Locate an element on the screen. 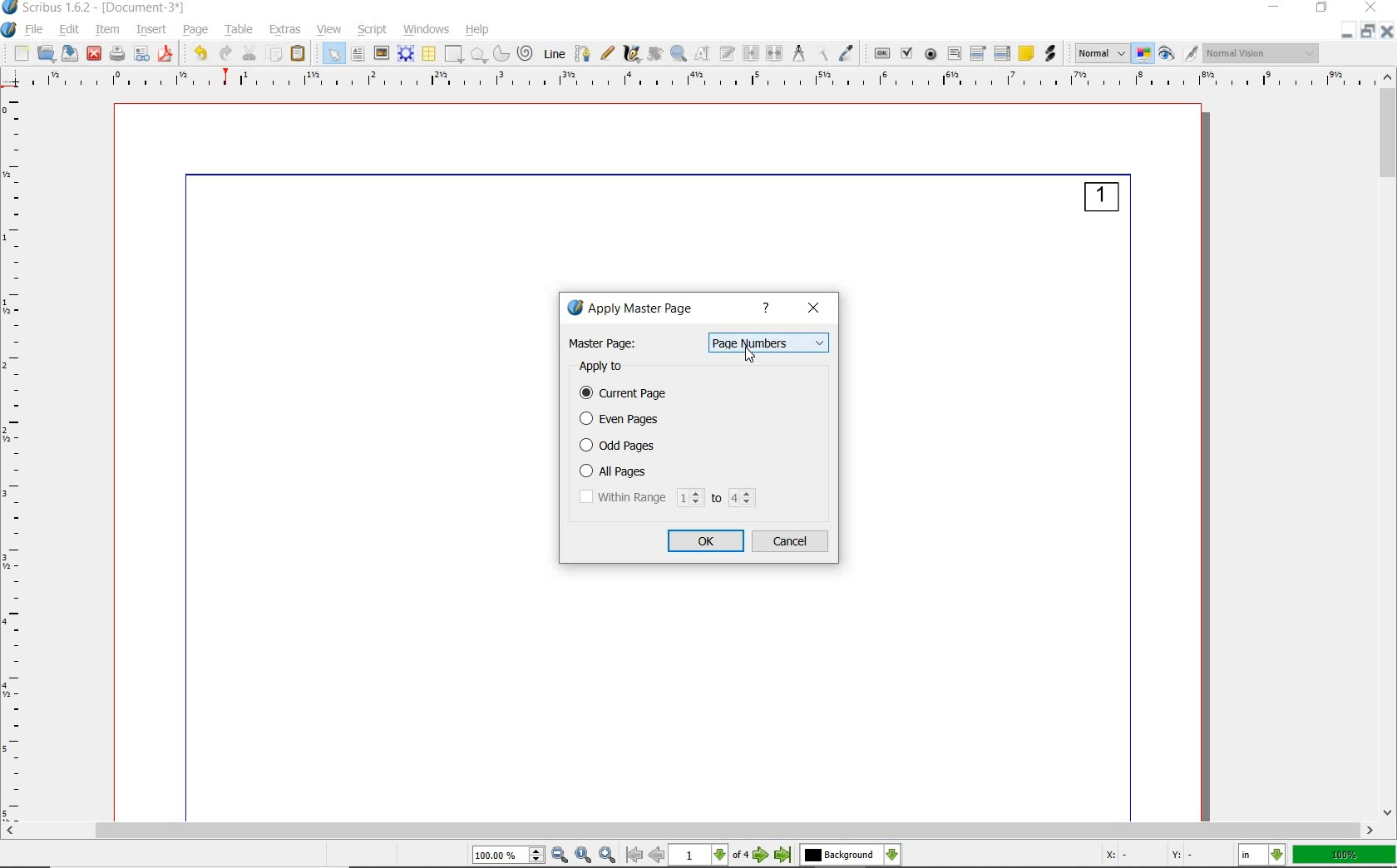 Image resolution: width=1397 pixels, height=868 pixels. 1 is located at coordinates (1101, 200).